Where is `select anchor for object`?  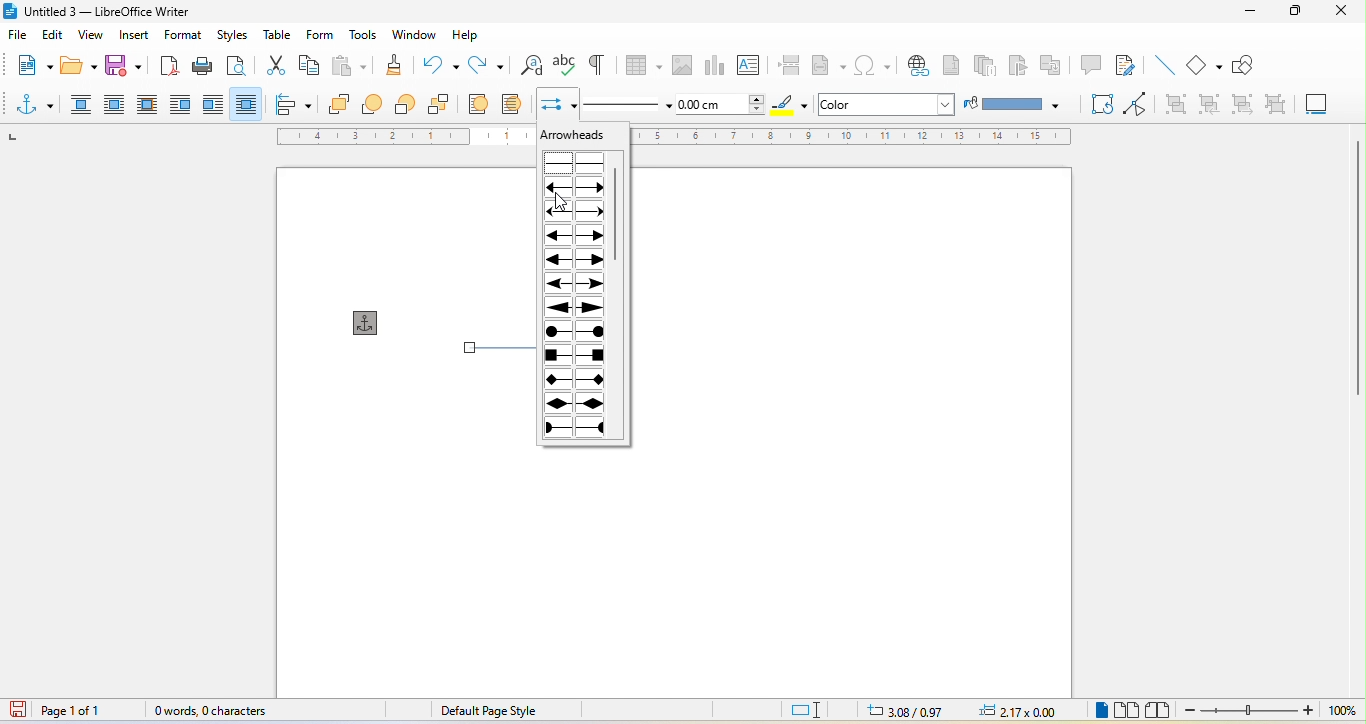 select anchor for object is located at coordinates (37, 103).